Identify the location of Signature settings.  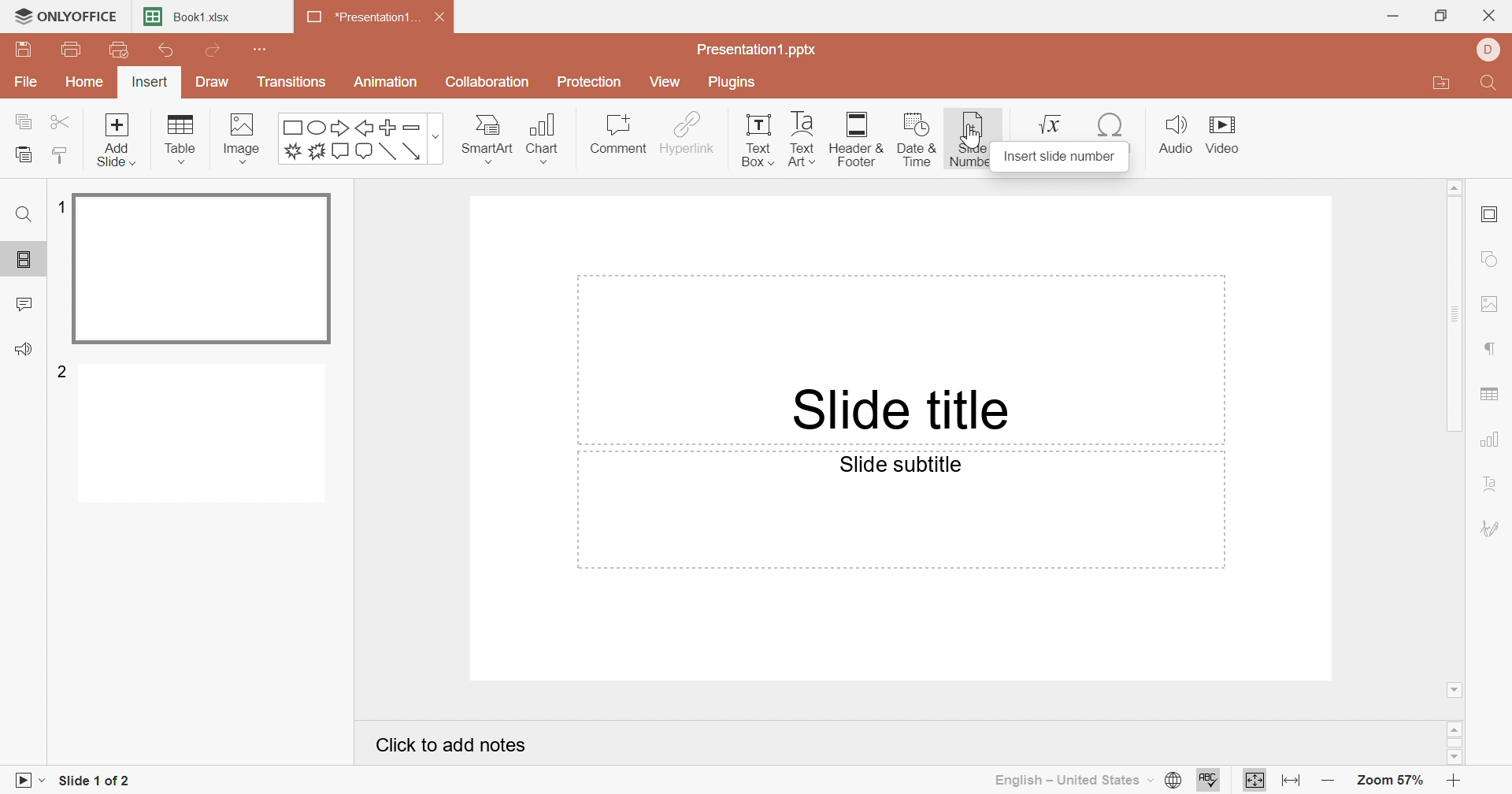
(1491, 528).